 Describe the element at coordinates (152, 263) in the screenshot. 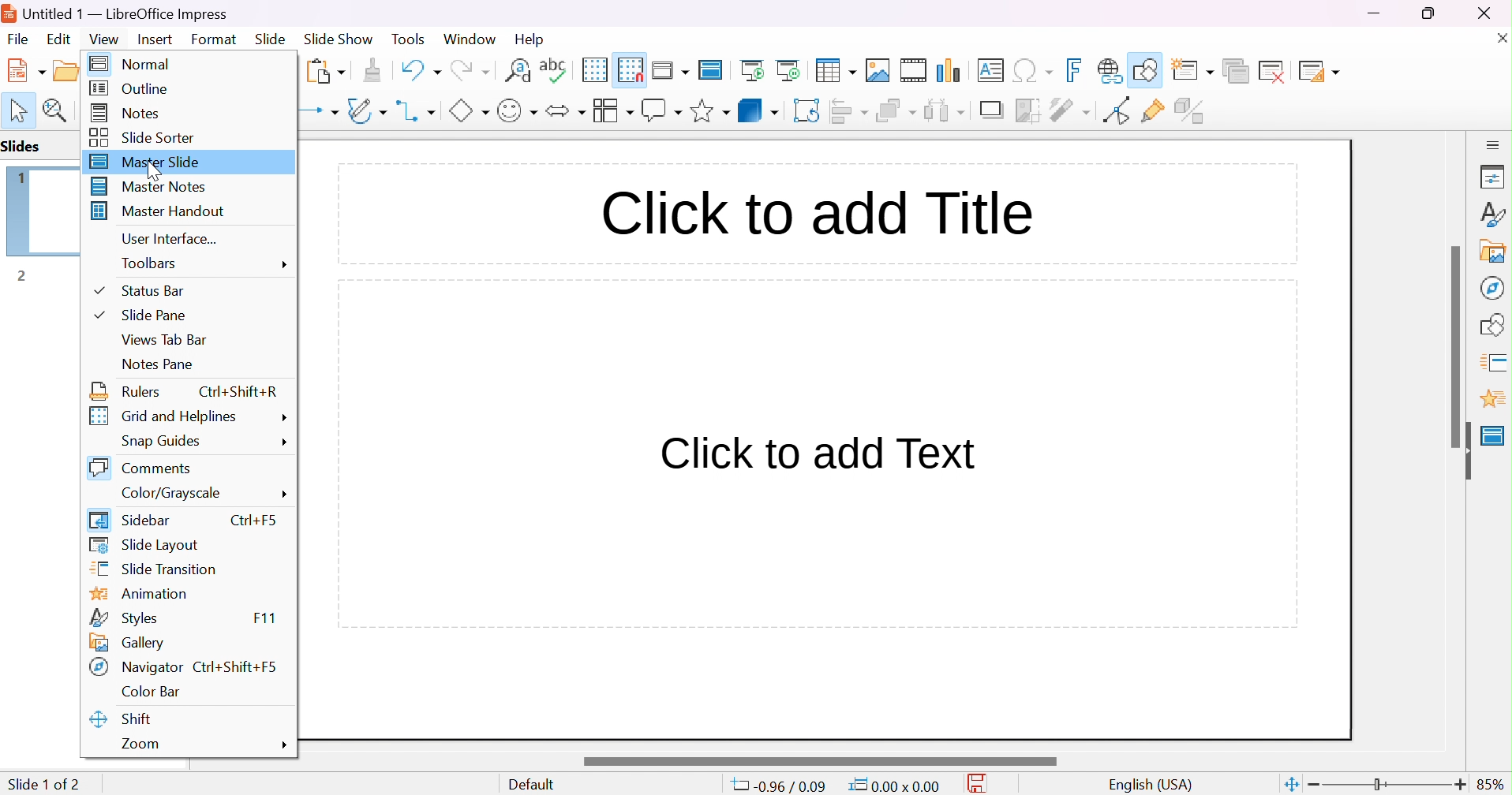

I see `toolbars` at that location.